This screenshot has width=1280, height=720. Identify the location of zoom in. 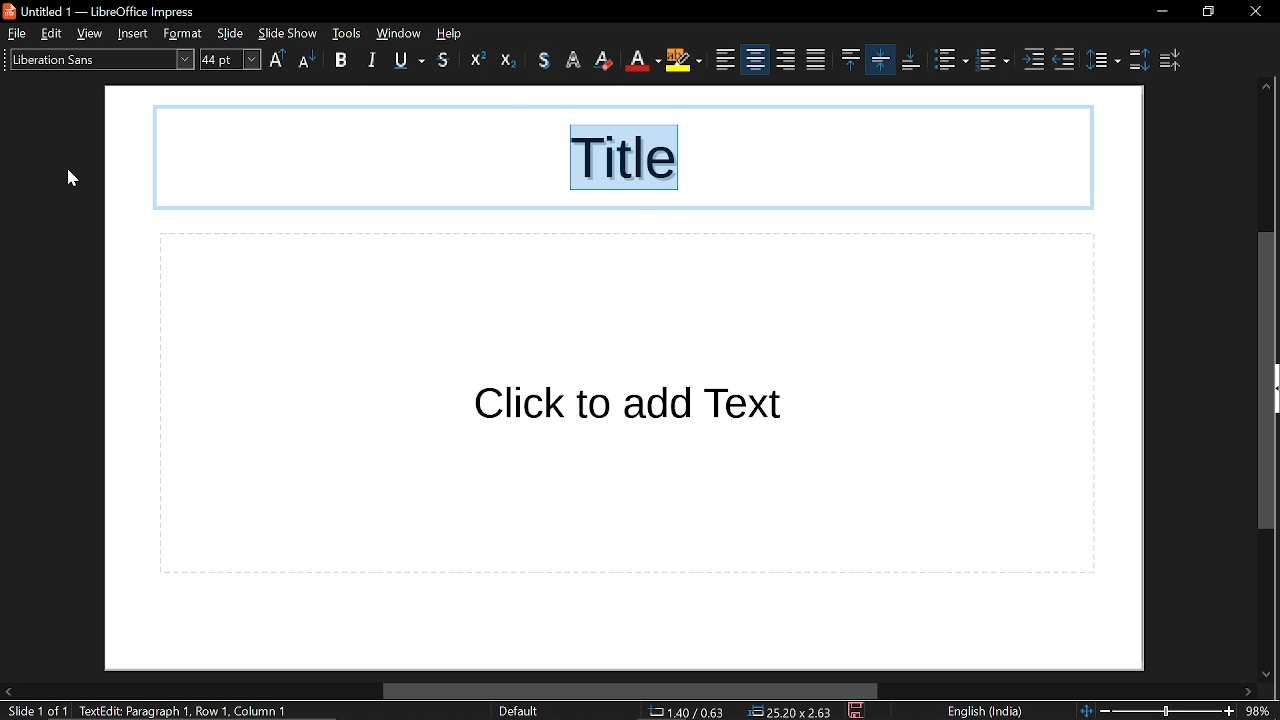
(1229, 712).